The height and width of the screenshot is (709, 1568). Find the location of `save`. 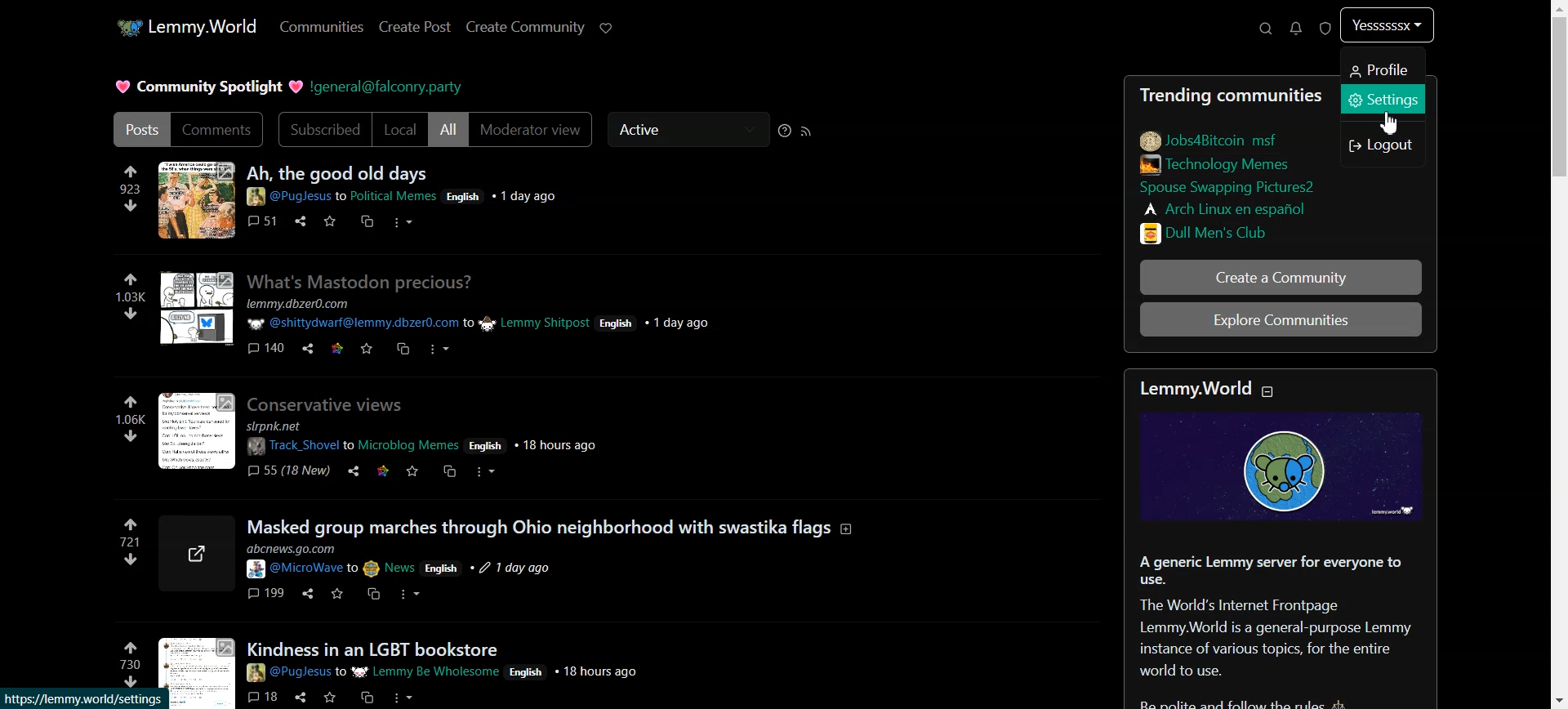

save is located at coordinates (364, 347).